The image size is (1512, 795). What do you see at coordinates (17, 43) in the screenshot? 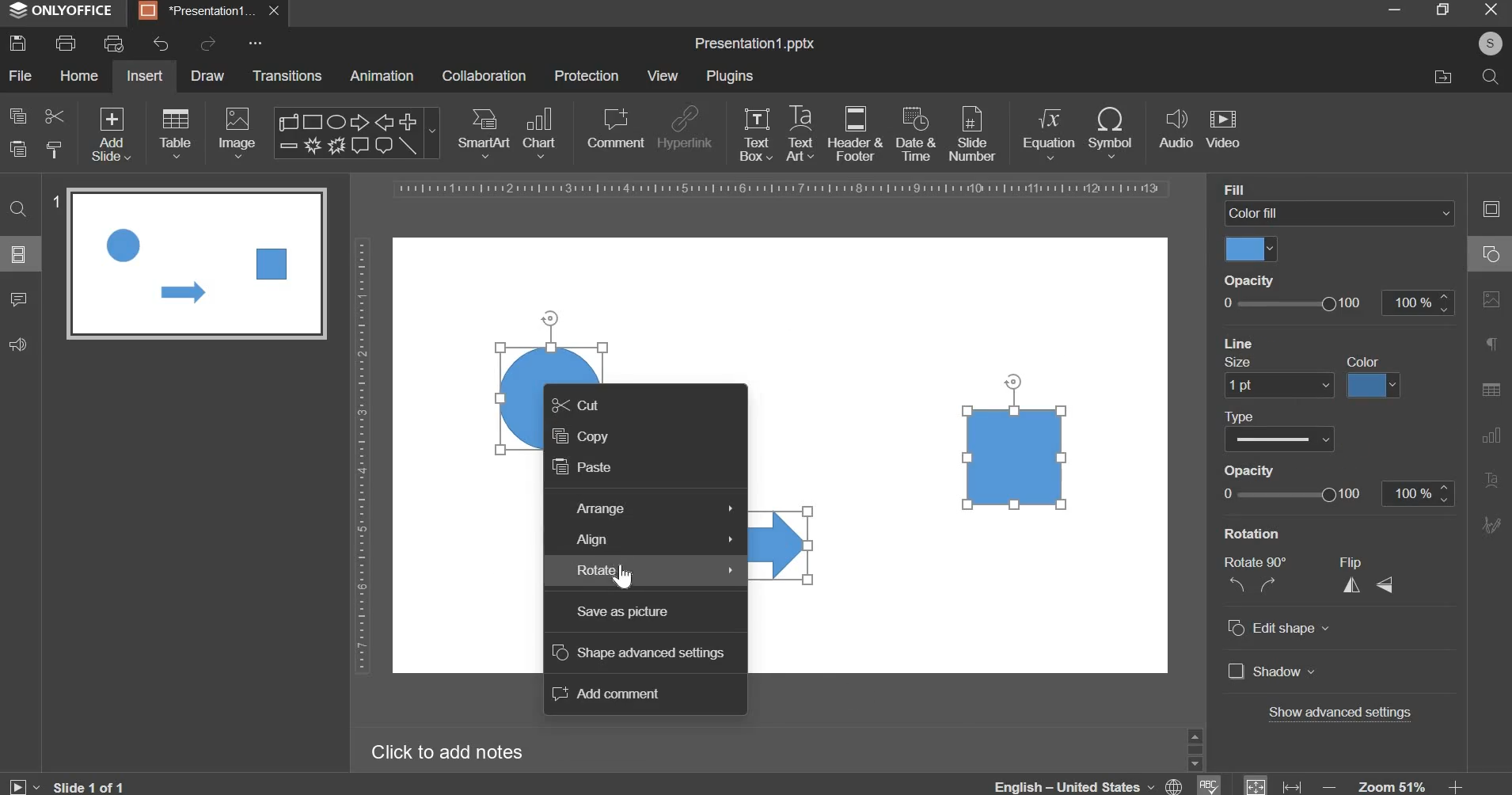
I see `save` at bounding box center [17, 43].